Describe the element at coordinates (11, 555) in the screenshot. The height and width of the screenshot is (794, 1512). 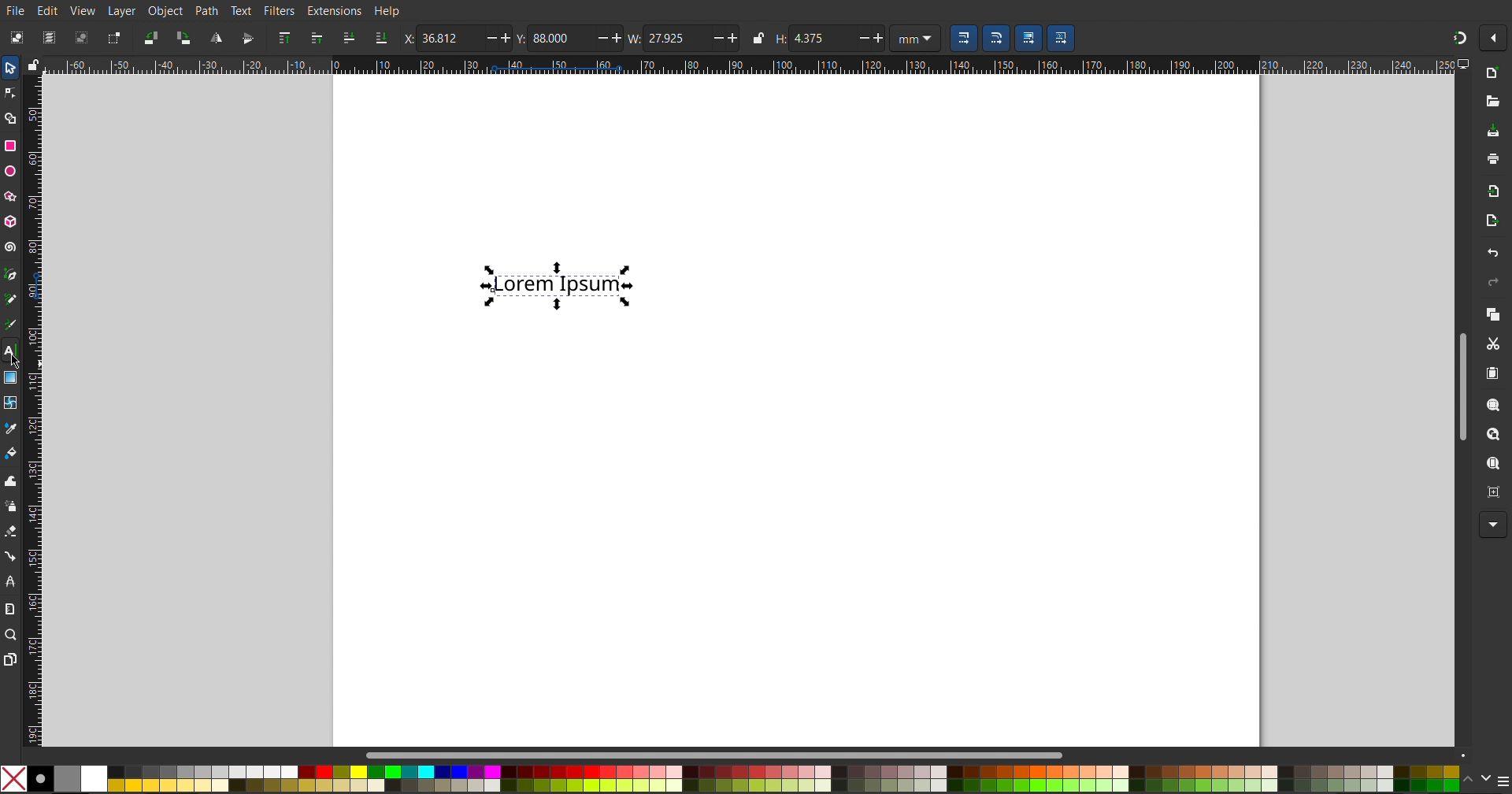
I see `Connector Tool` at that location.